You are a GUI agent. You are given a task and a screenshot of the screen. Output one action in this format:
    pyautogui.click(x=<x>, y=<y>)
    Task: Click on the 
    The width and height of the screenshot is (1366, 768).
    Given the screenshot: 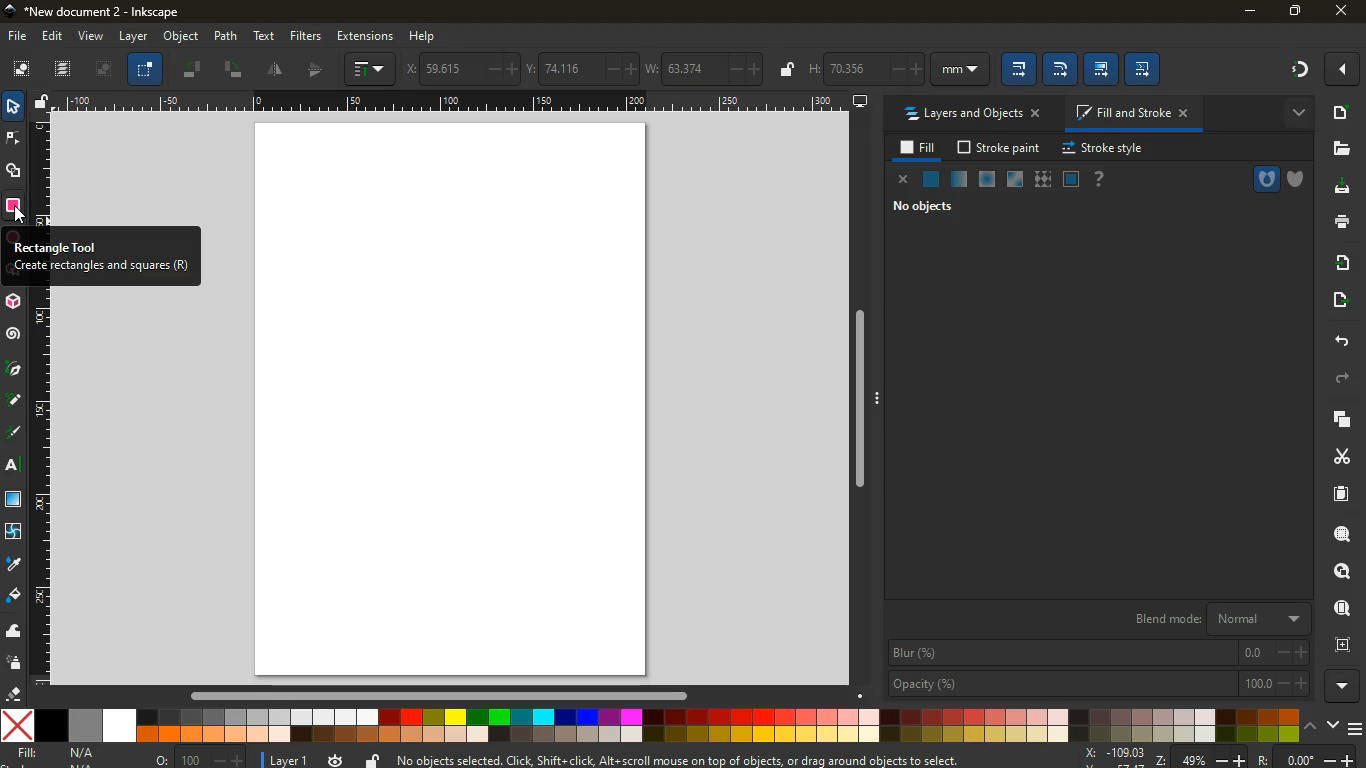 What is the action you would take?
    pyautogui.click(x=451, y=104)
    